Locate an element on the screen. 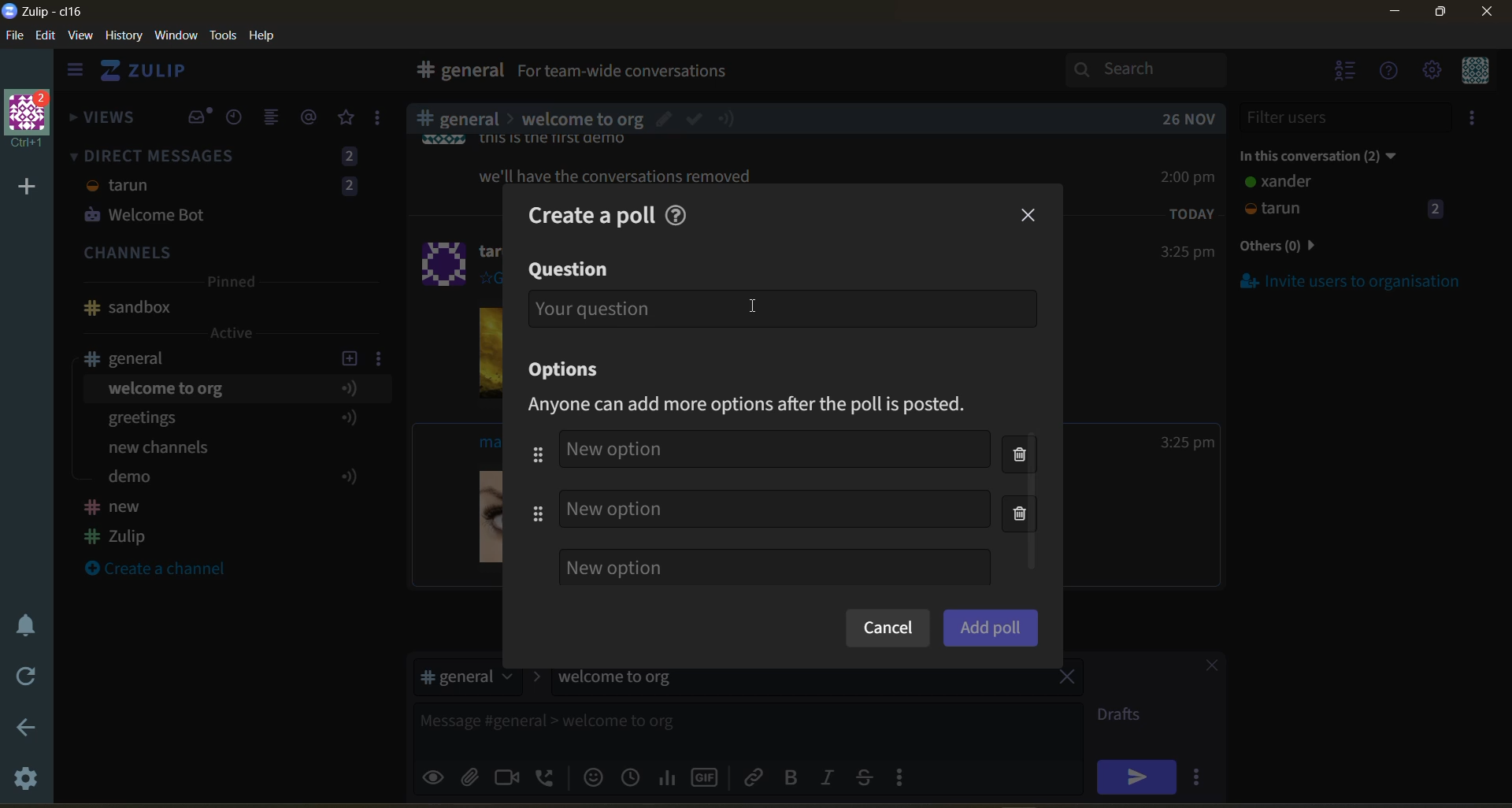  3:25 pm is located at coordinates (1188, 443).